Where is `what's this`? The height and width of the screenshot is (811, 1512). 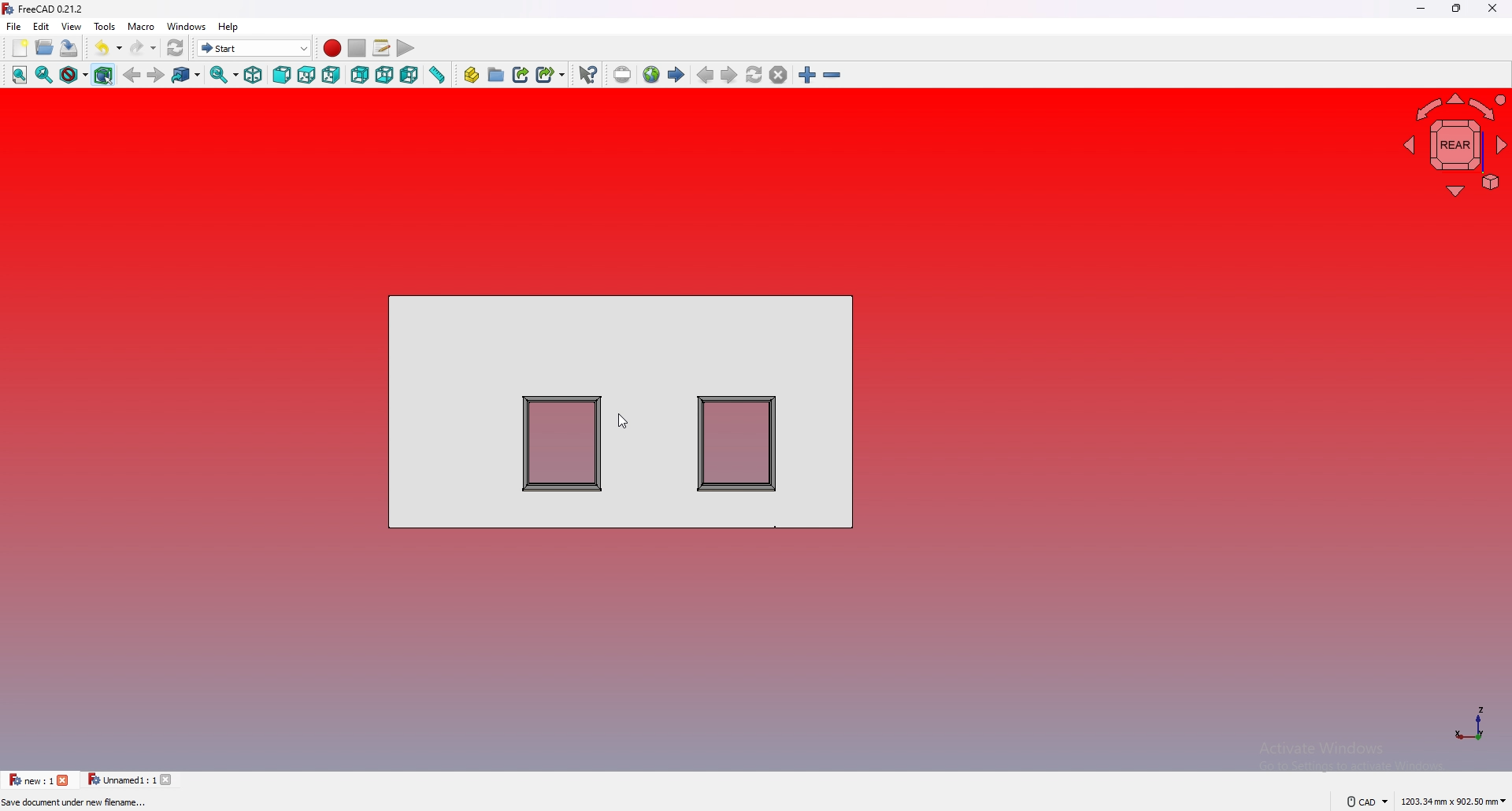 what's this is located at coordinates (587, 76).